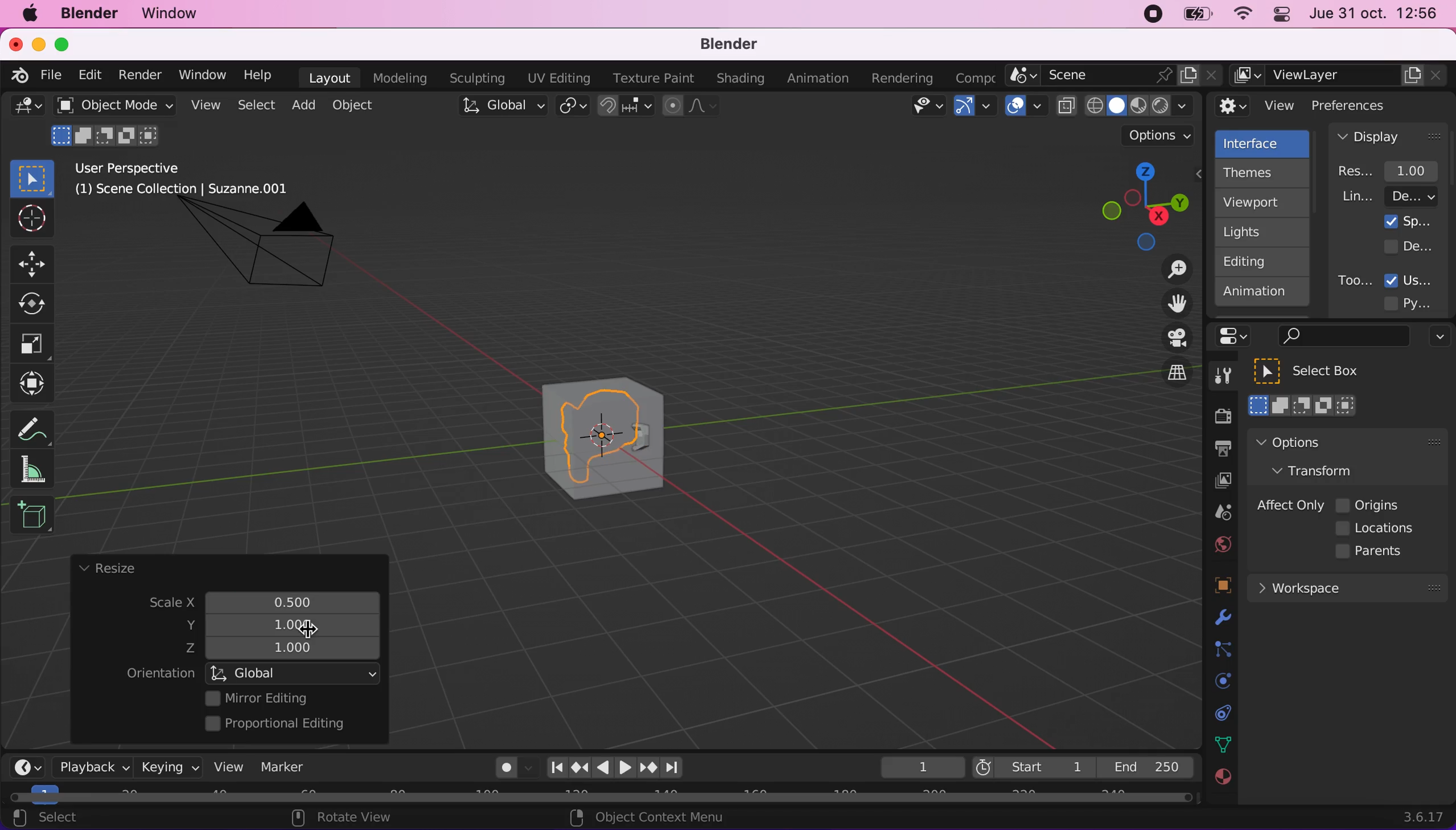 The image size is (1456, 830). I want to click on modeling, so click(398, 79).